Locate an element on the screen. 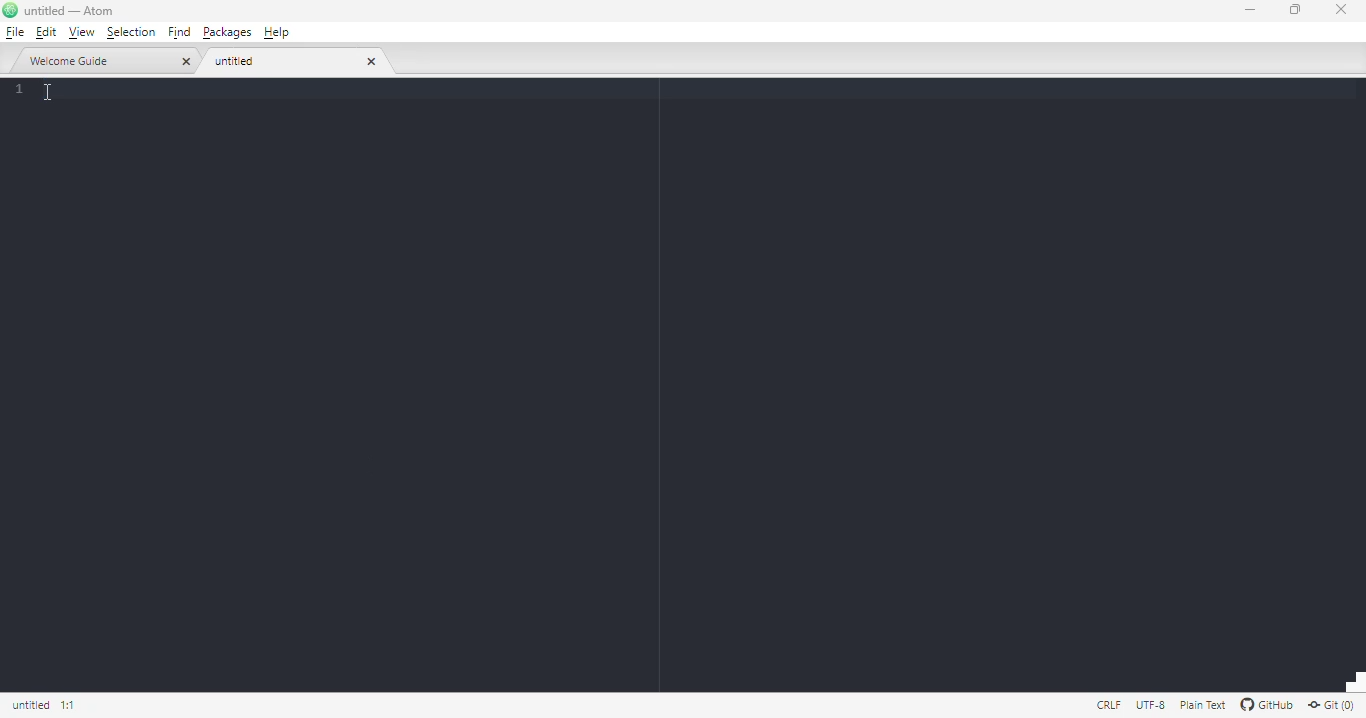 This screenshot has height=718, width=1366. file uses CRLF line endings is located at coordinates (1105, 705).